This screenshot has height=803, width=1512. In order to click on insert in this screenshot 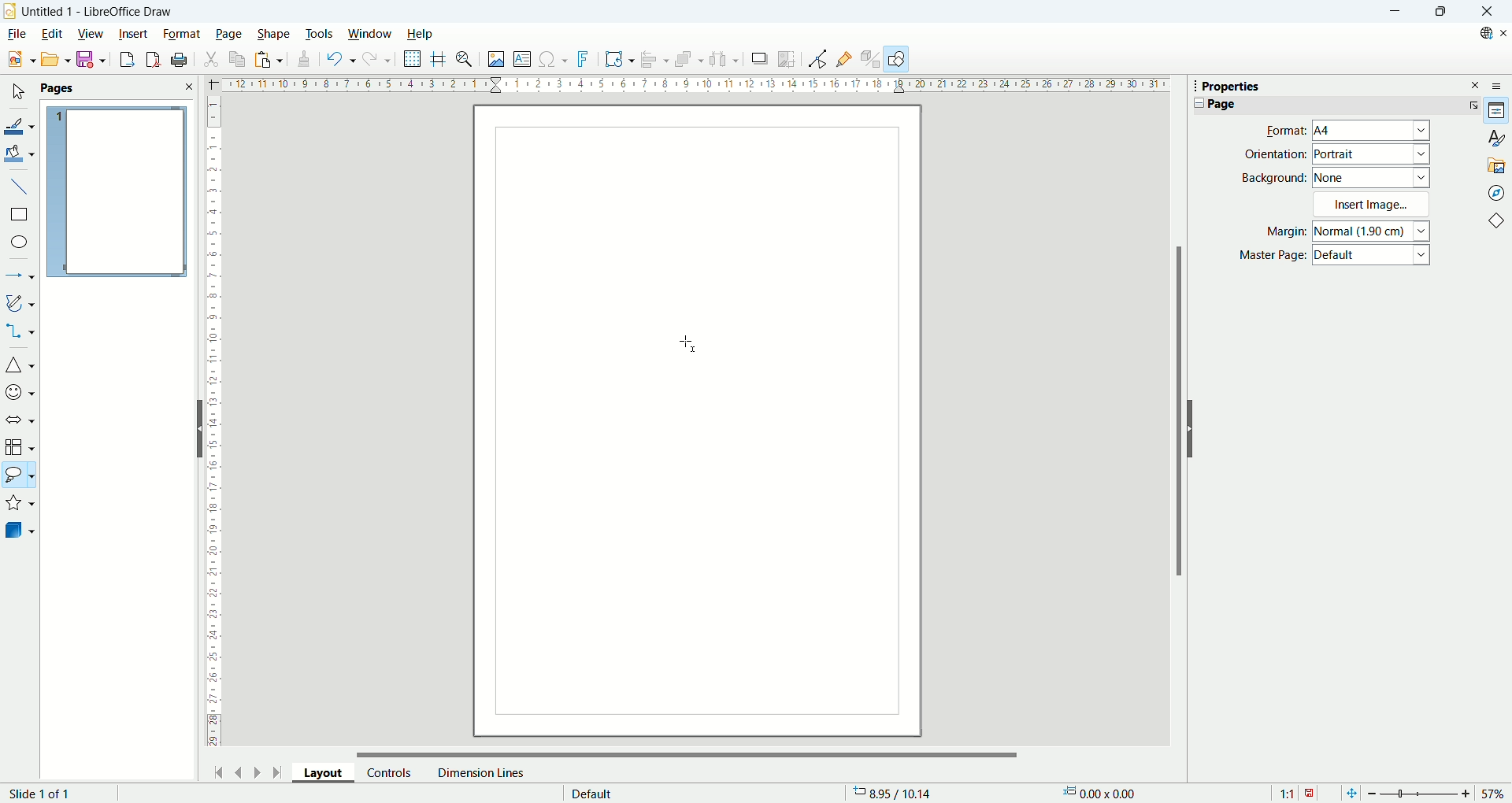, I will do `click(134, 32)`.